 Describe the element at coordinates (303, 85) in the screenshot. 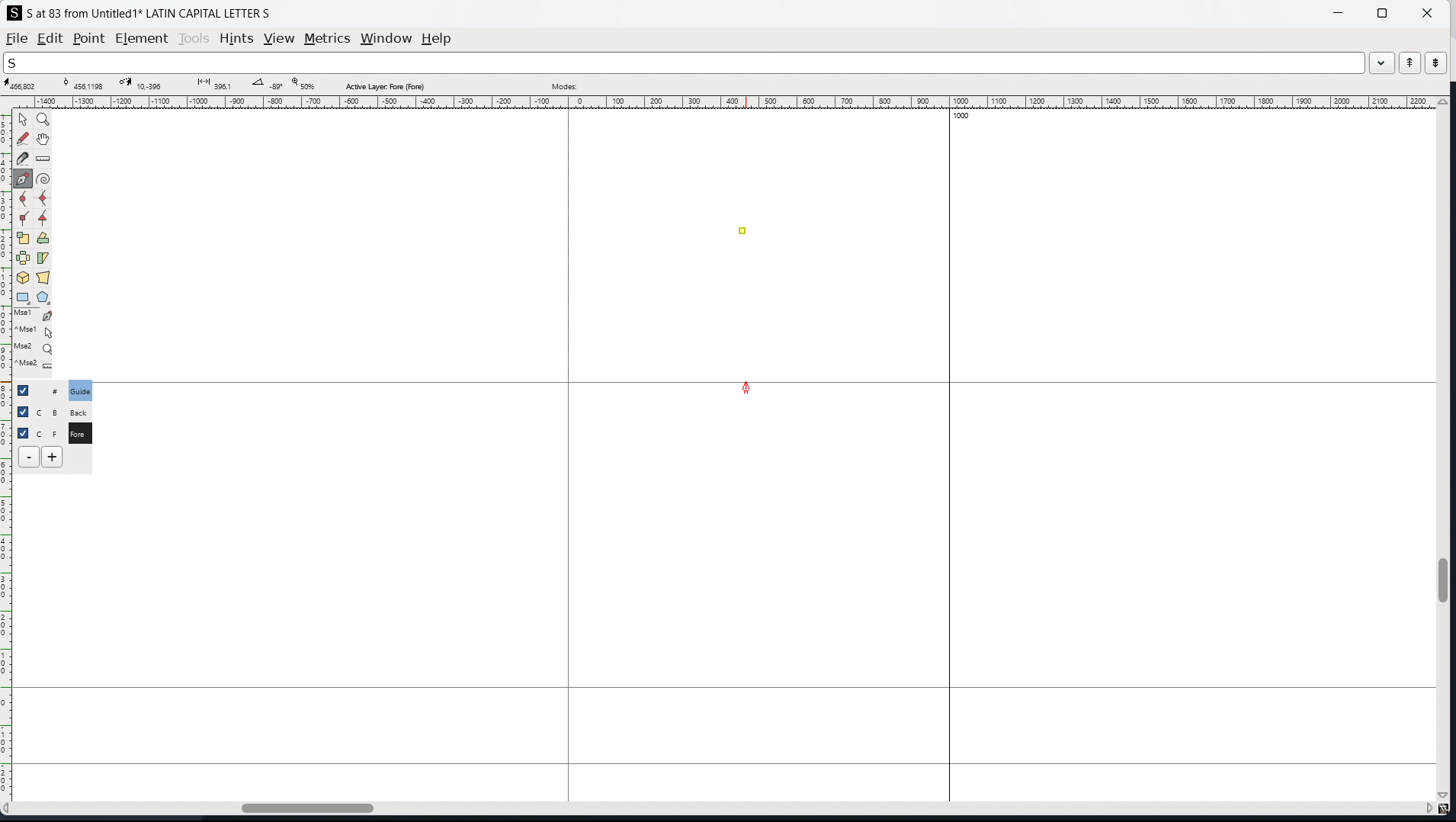

I see `zoom level` at that location.